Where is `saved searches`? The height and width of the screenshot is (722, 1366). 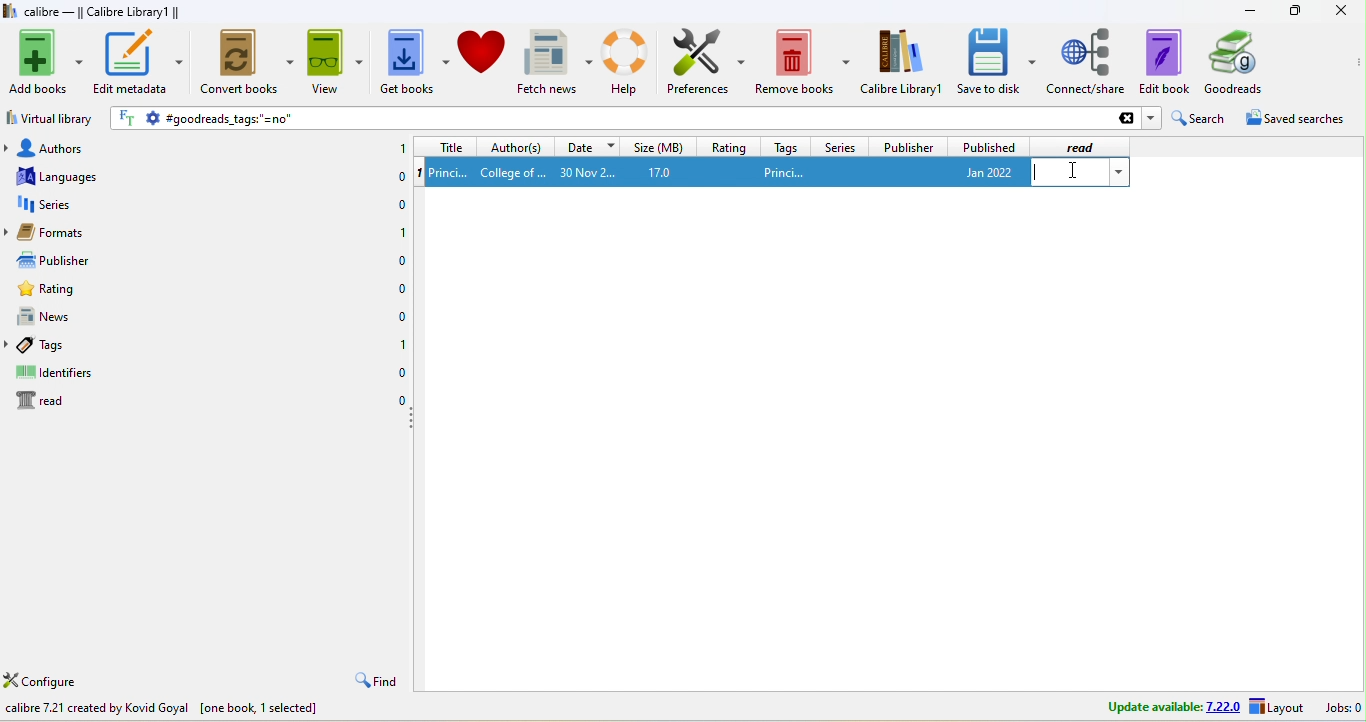 saved searches is located at coordinates (1292, 118).